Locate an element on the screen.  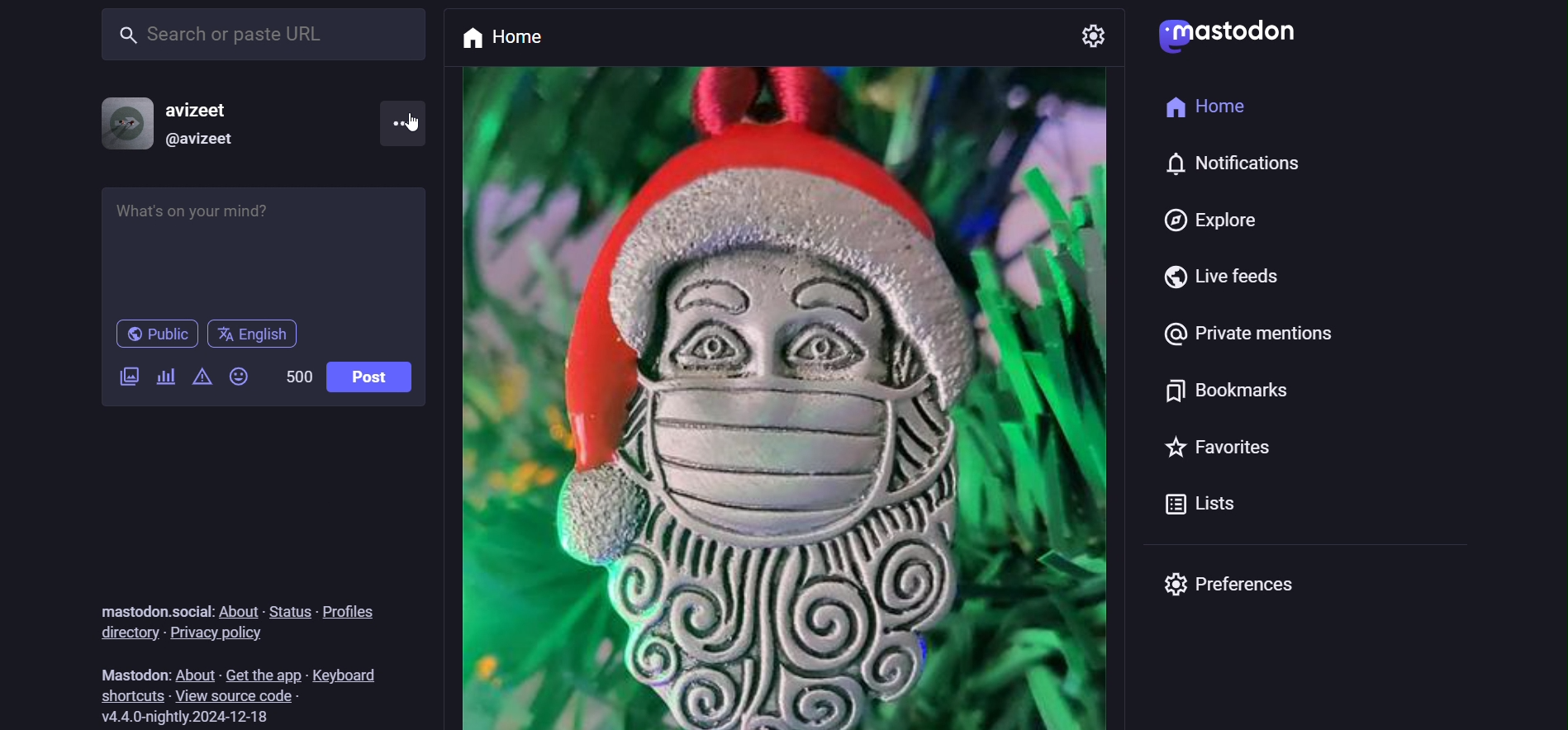
setting is located at coordinates (1073, 36).